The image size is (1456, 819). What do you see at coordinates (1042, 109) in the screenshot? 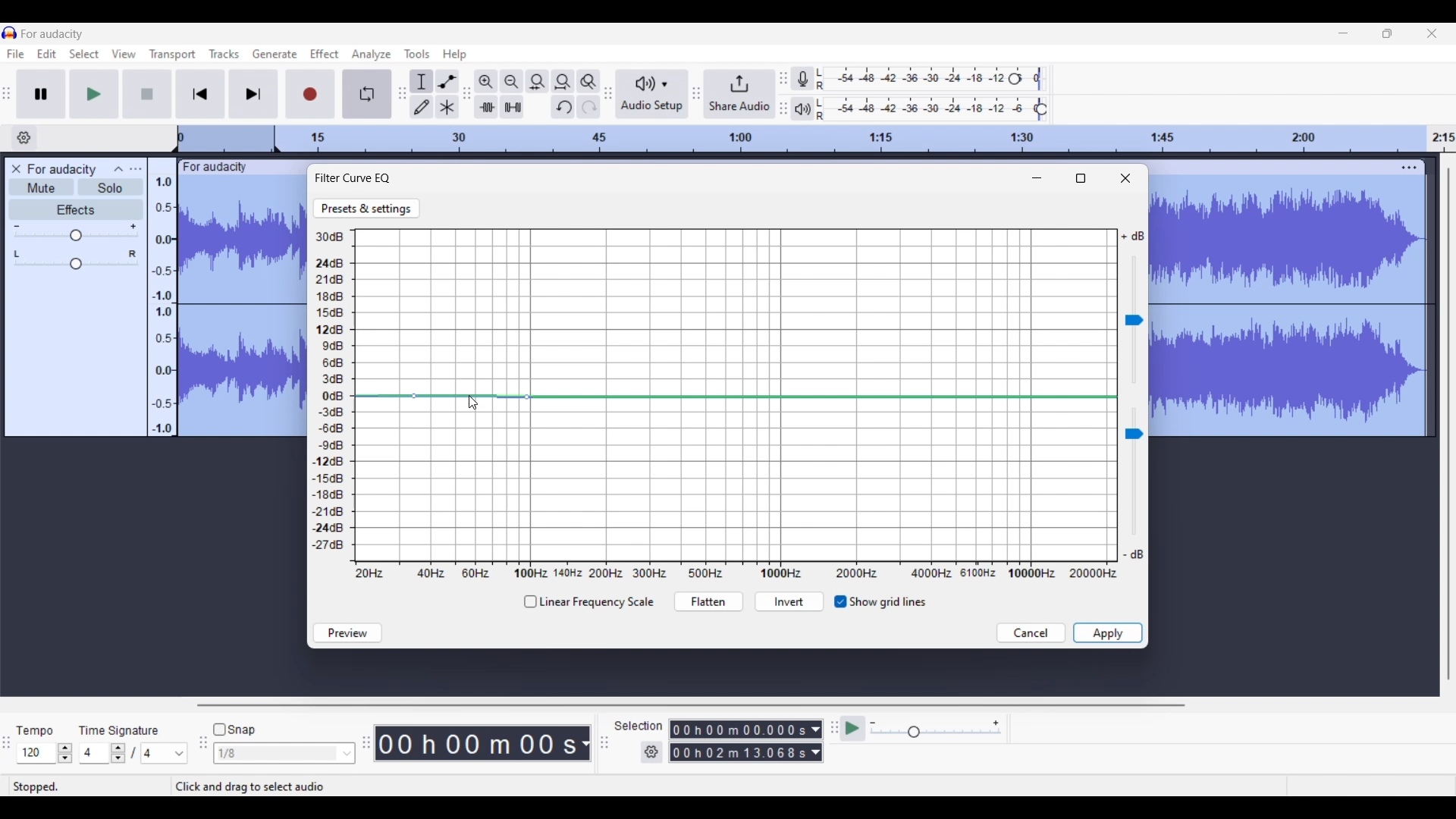
I see `Playback level header` at bounding box center [1042, 109].